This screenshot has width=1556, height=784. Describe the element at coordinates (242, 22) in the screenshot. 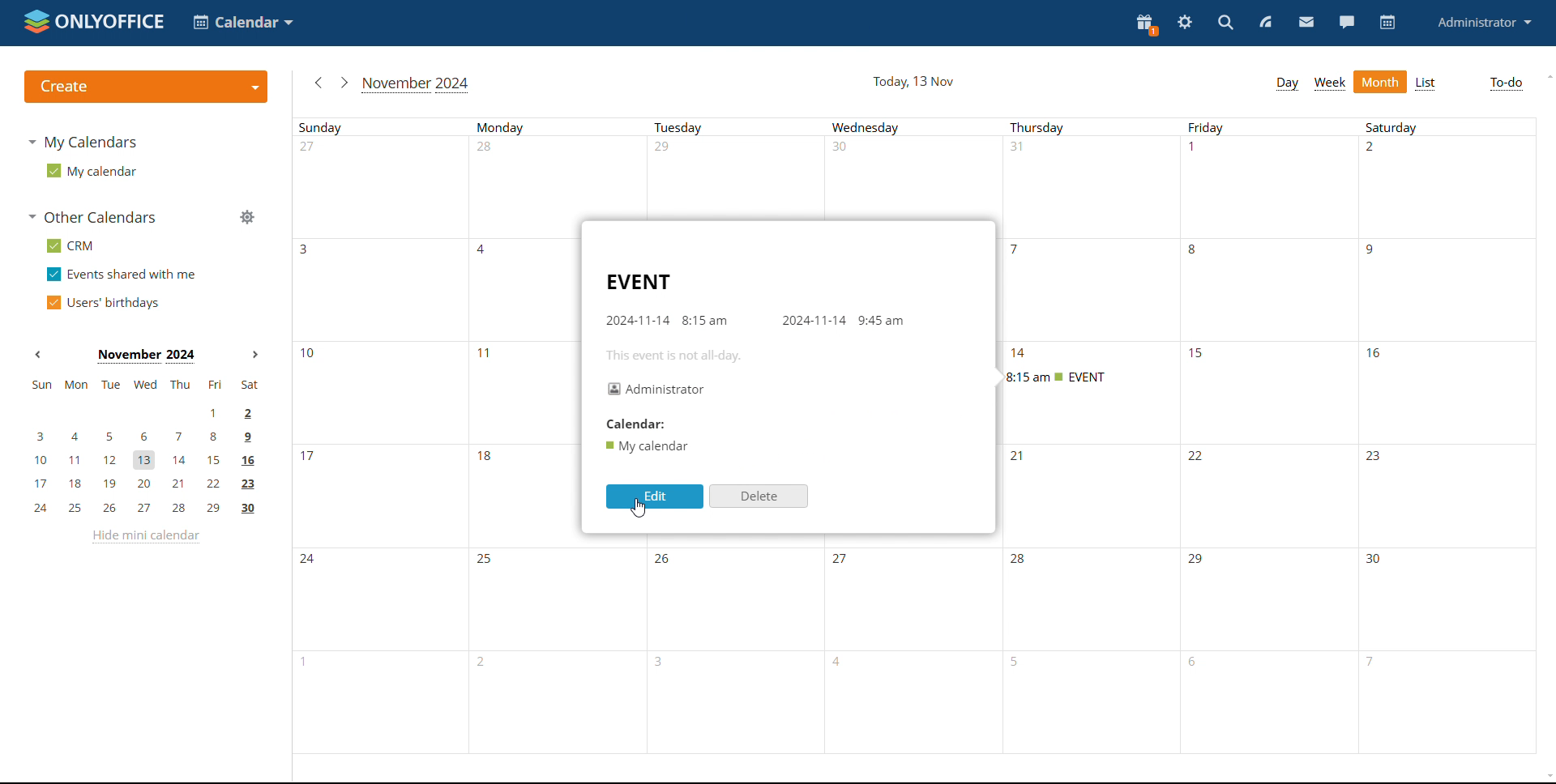

I see `select application` at that location.